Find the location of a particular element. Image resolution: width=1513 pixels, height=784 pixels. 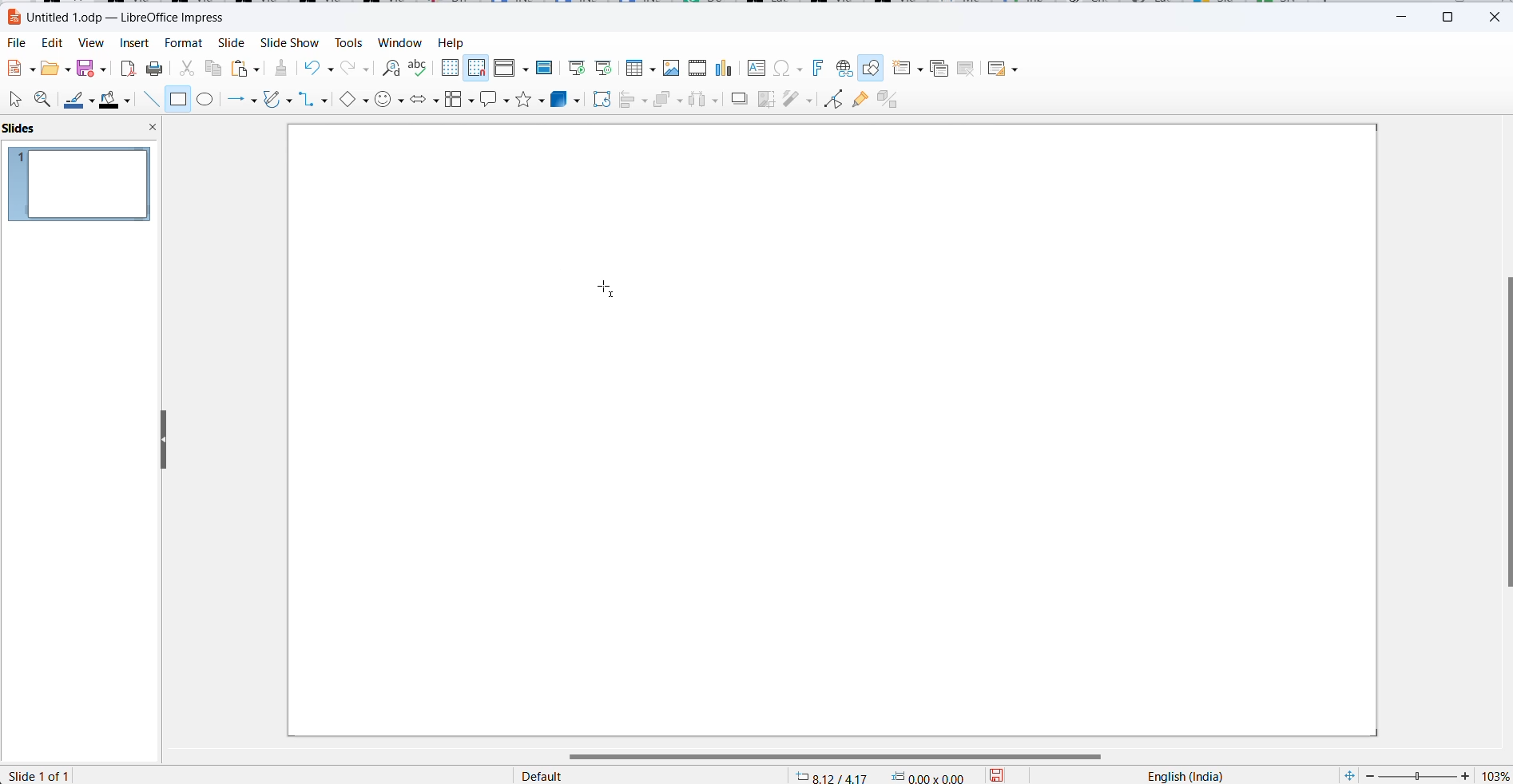

block arrows is located at coordinates (424, 100).